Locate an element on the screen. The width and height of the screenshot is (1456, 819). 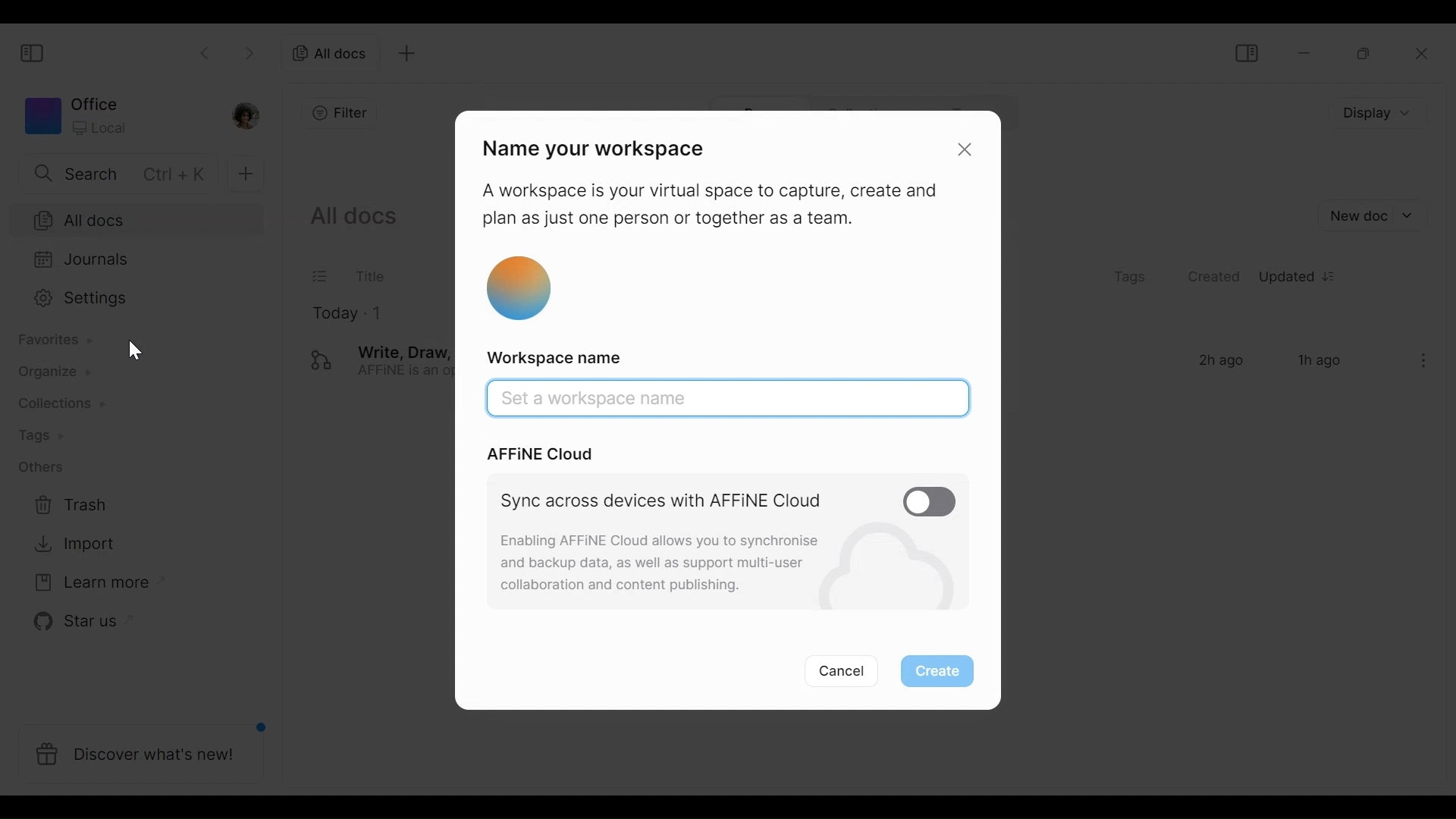
All documents is located at coordinates (135, 218).